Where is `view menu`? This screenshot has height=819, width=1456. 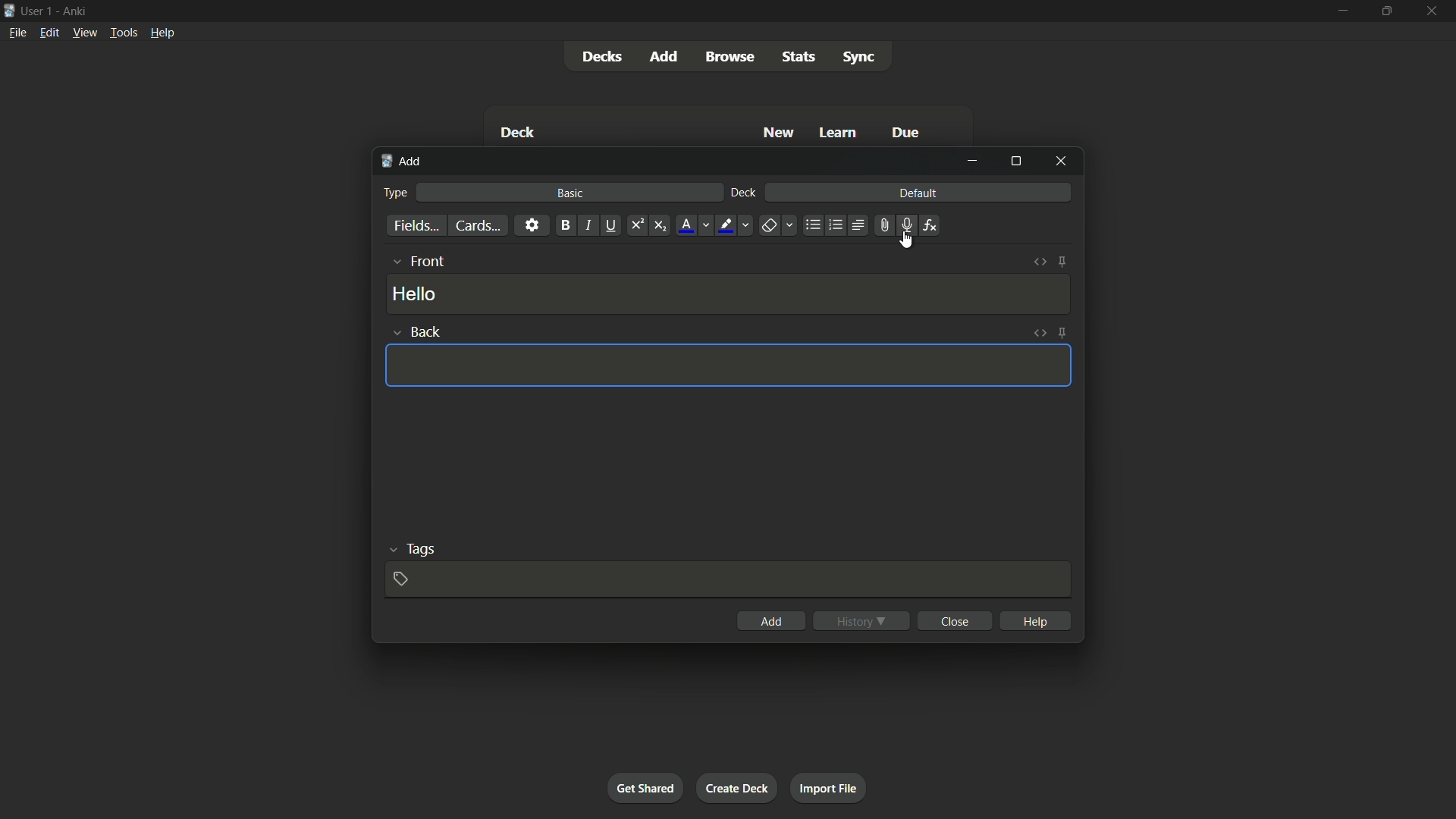
view menu is located at coordinates (84, 33).